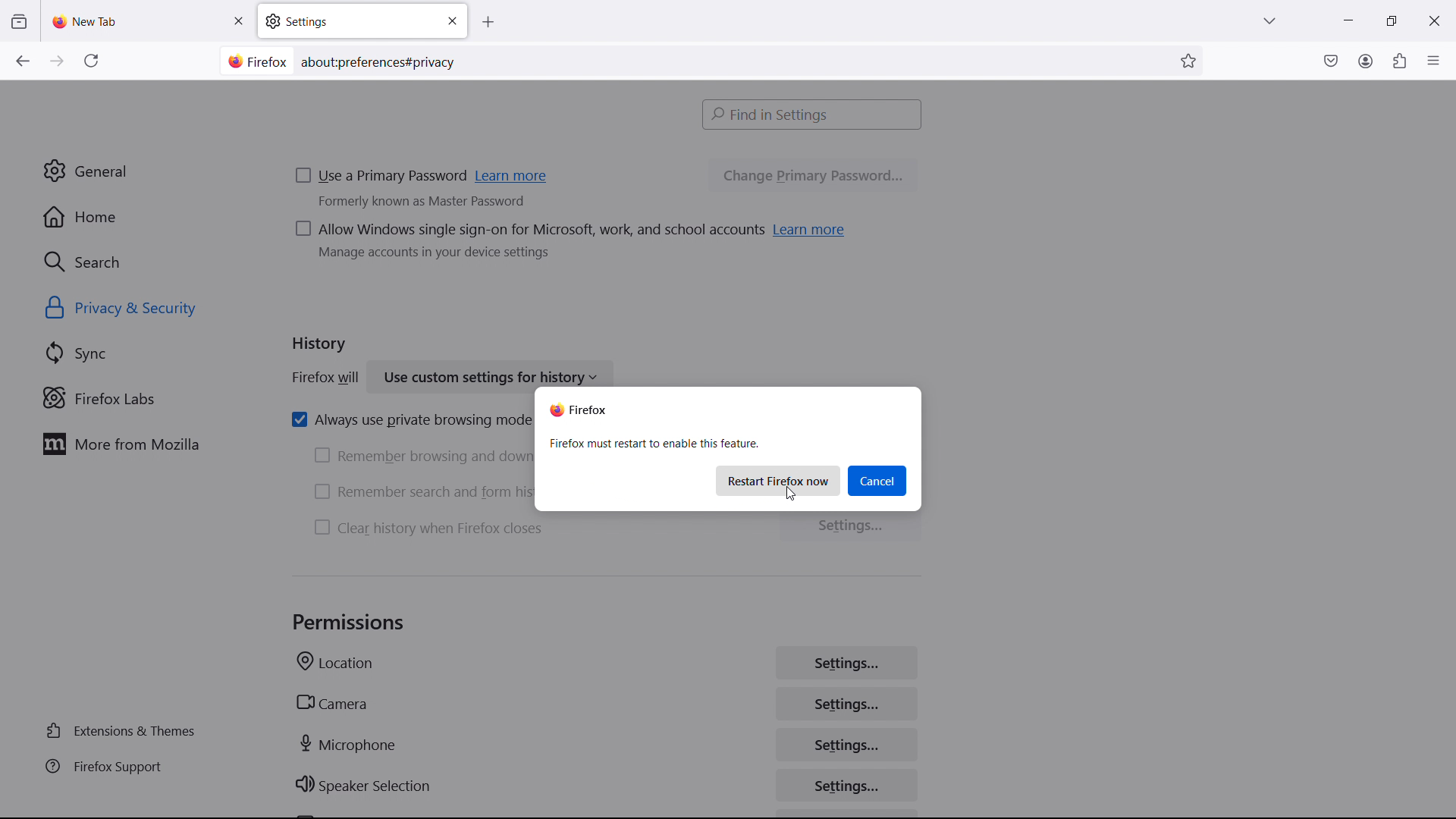  I want to click on Formerly known as Master Password, so click(444, 206).